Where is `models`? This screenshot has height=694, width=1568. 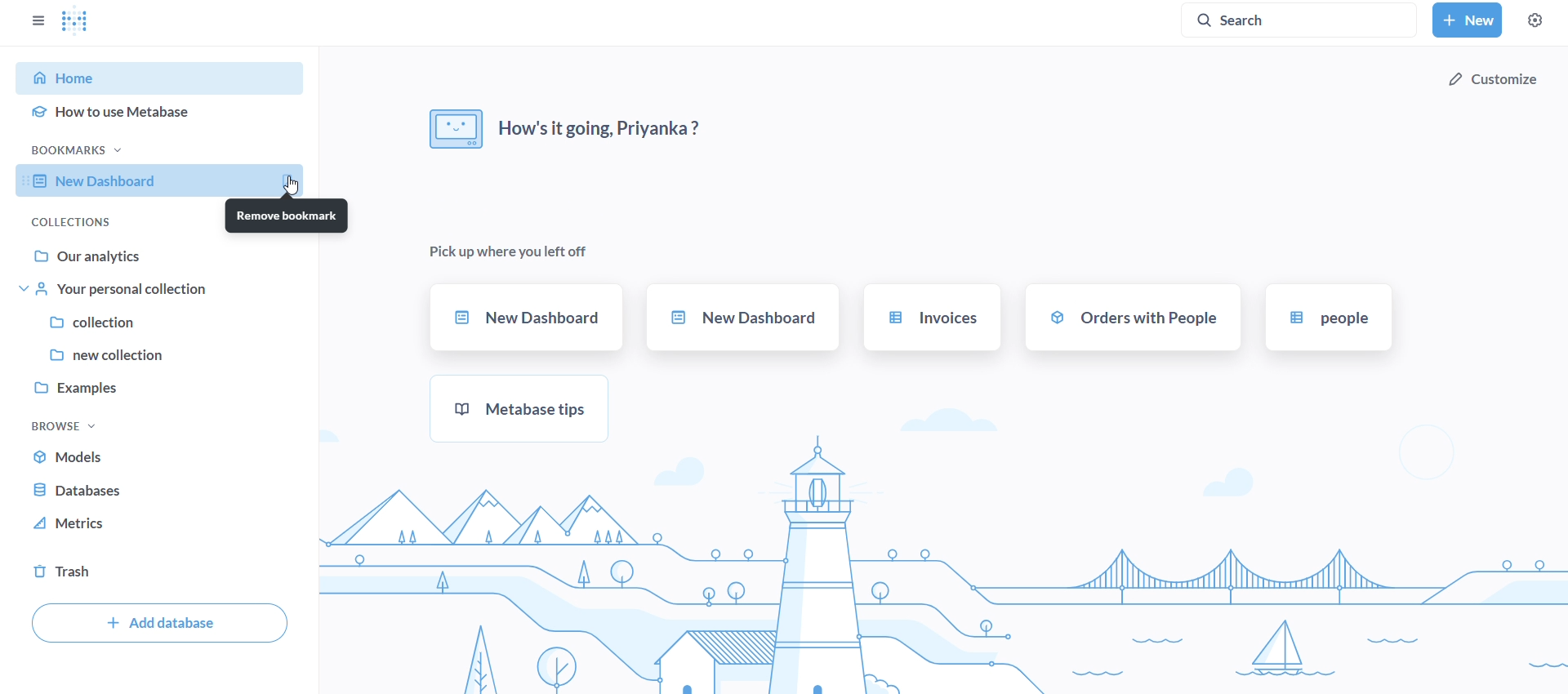
models is located at coordinates (75, 456).